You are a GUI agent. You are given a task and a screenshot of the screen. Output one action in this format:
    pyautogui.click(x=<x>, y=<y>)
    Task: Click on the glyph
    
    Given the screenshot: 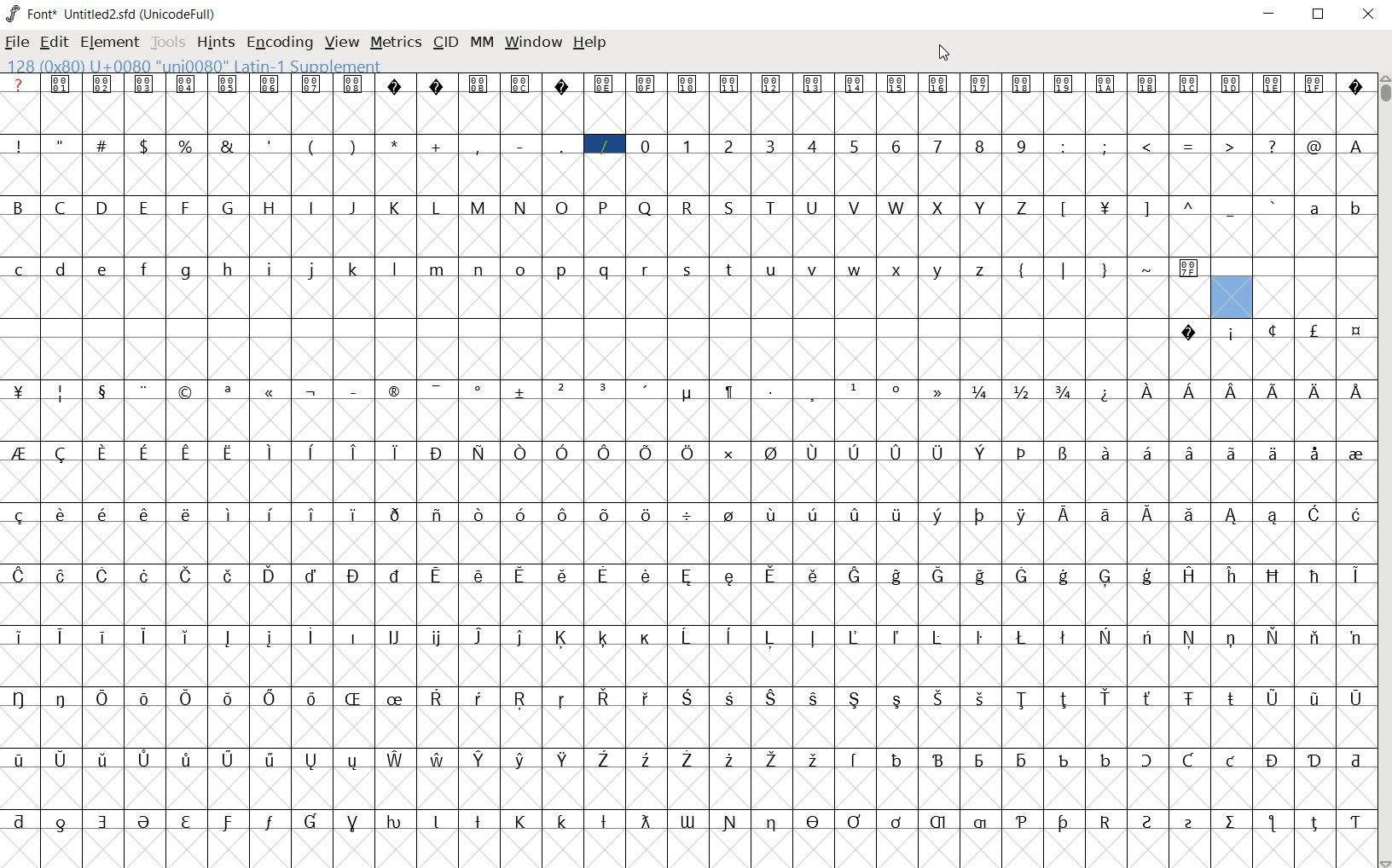 What is the action you would take?
    pyautogui.click(x=521, y=575)
    